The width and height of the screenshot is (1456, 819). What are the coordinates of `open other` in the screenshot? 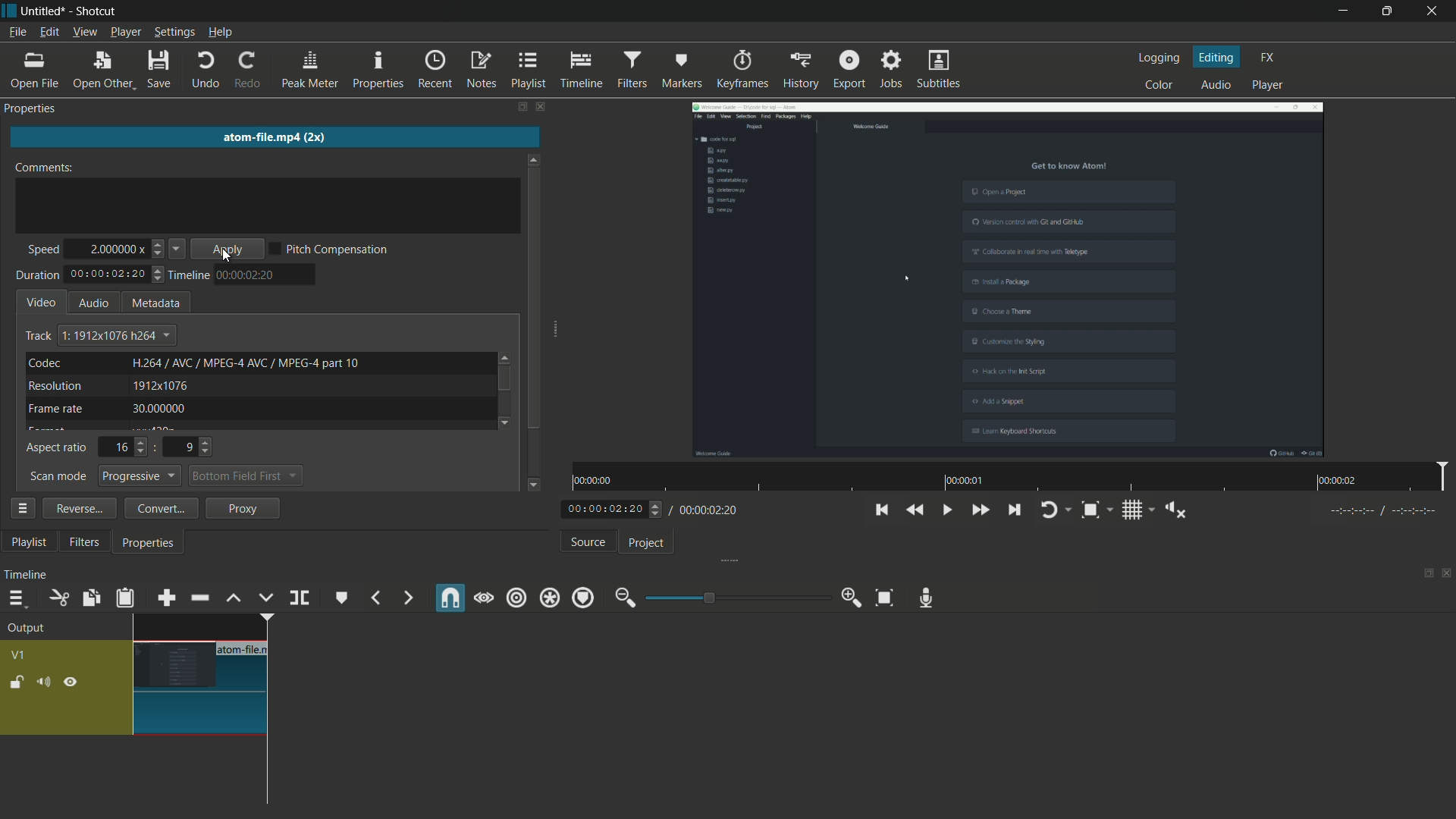 It's located at (102, 71).